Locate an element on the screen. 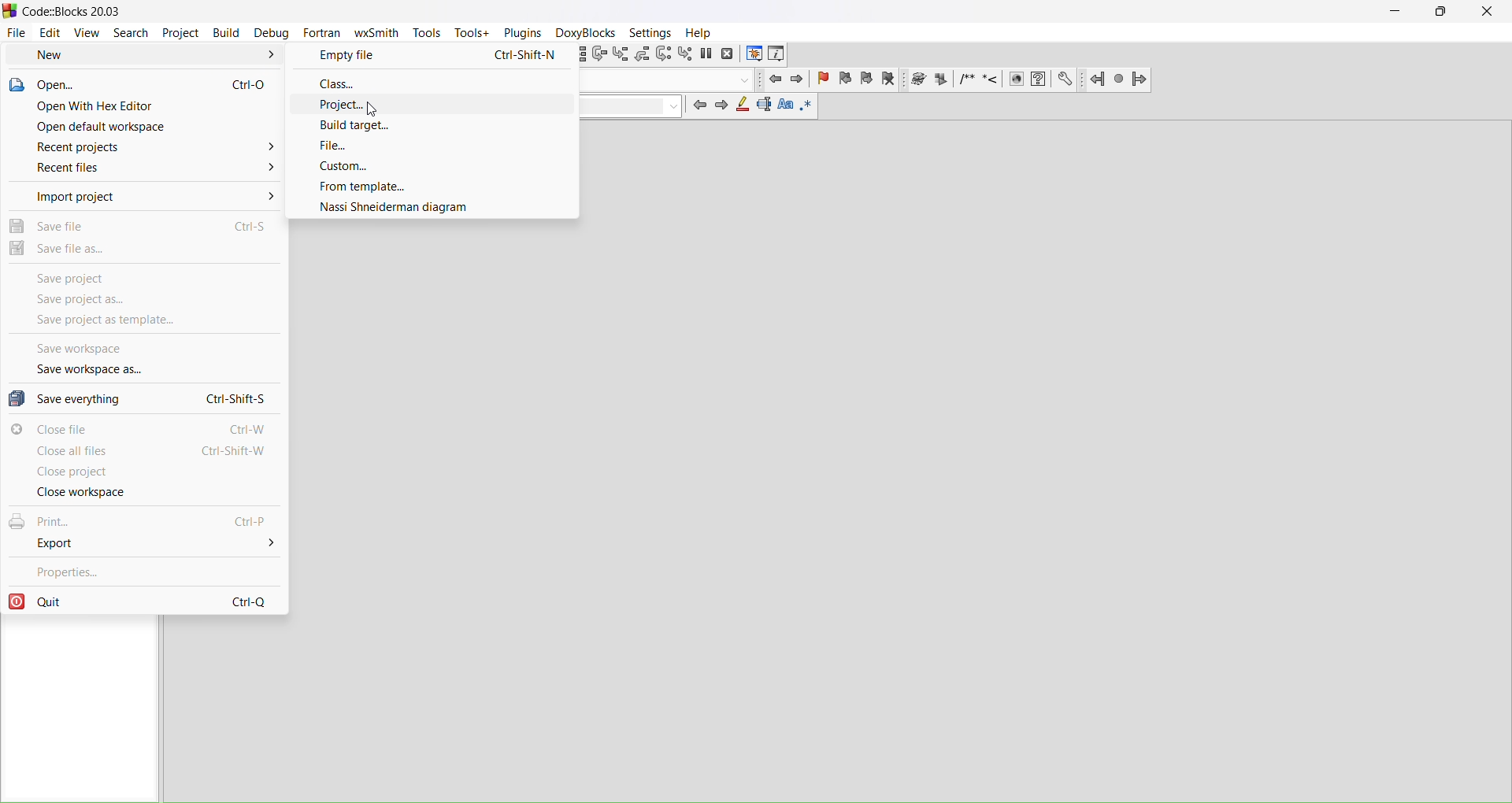 Image resolution: width=1512 pixels, height=803 pixels. tools+ is located at coordinates (472, 33).